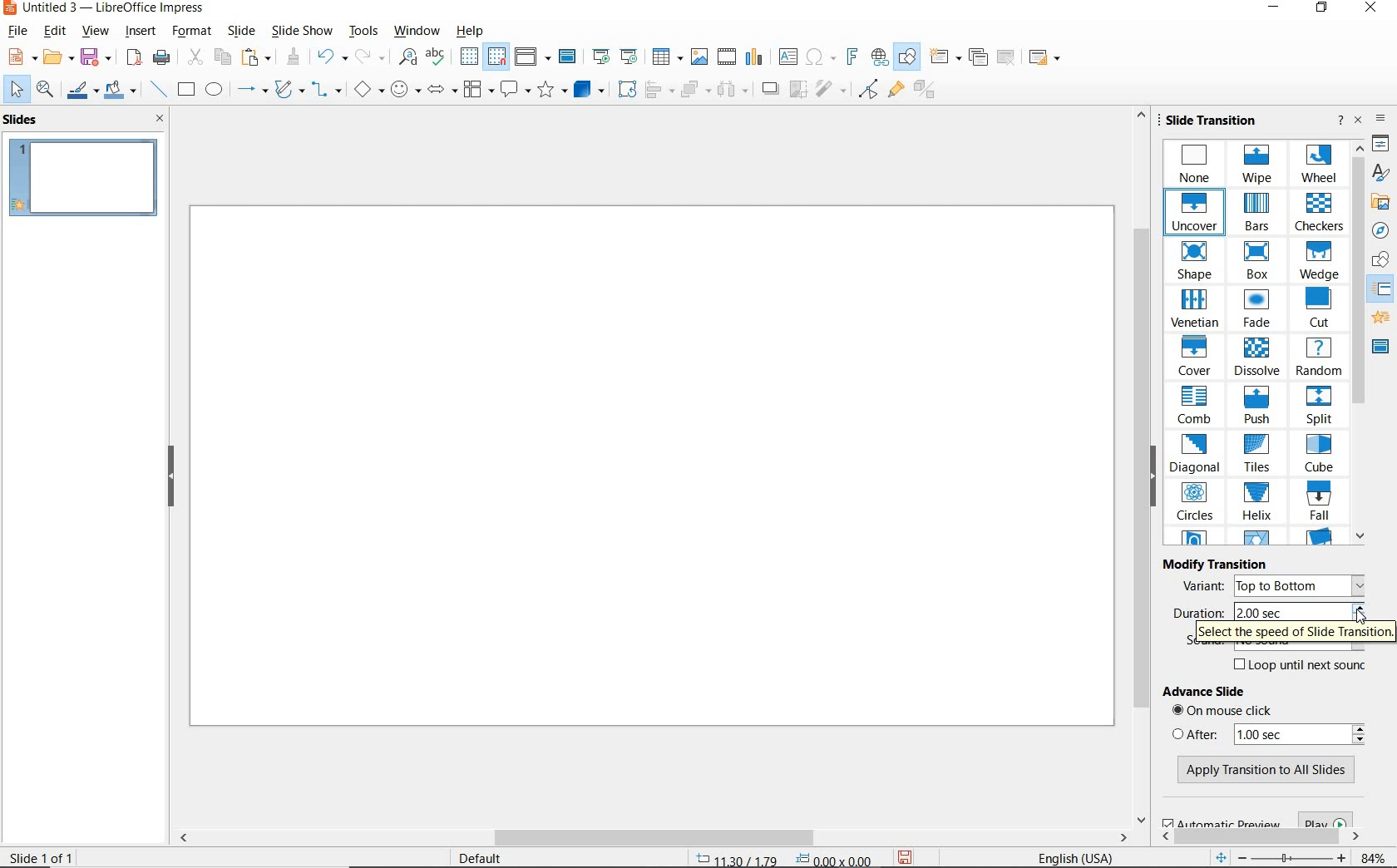 The width and height of the screenshot is (1397, 868). What do you see at coordinates (909, 856) in the screenshot?
I see `SAVE` at bounding box center [909, 856].